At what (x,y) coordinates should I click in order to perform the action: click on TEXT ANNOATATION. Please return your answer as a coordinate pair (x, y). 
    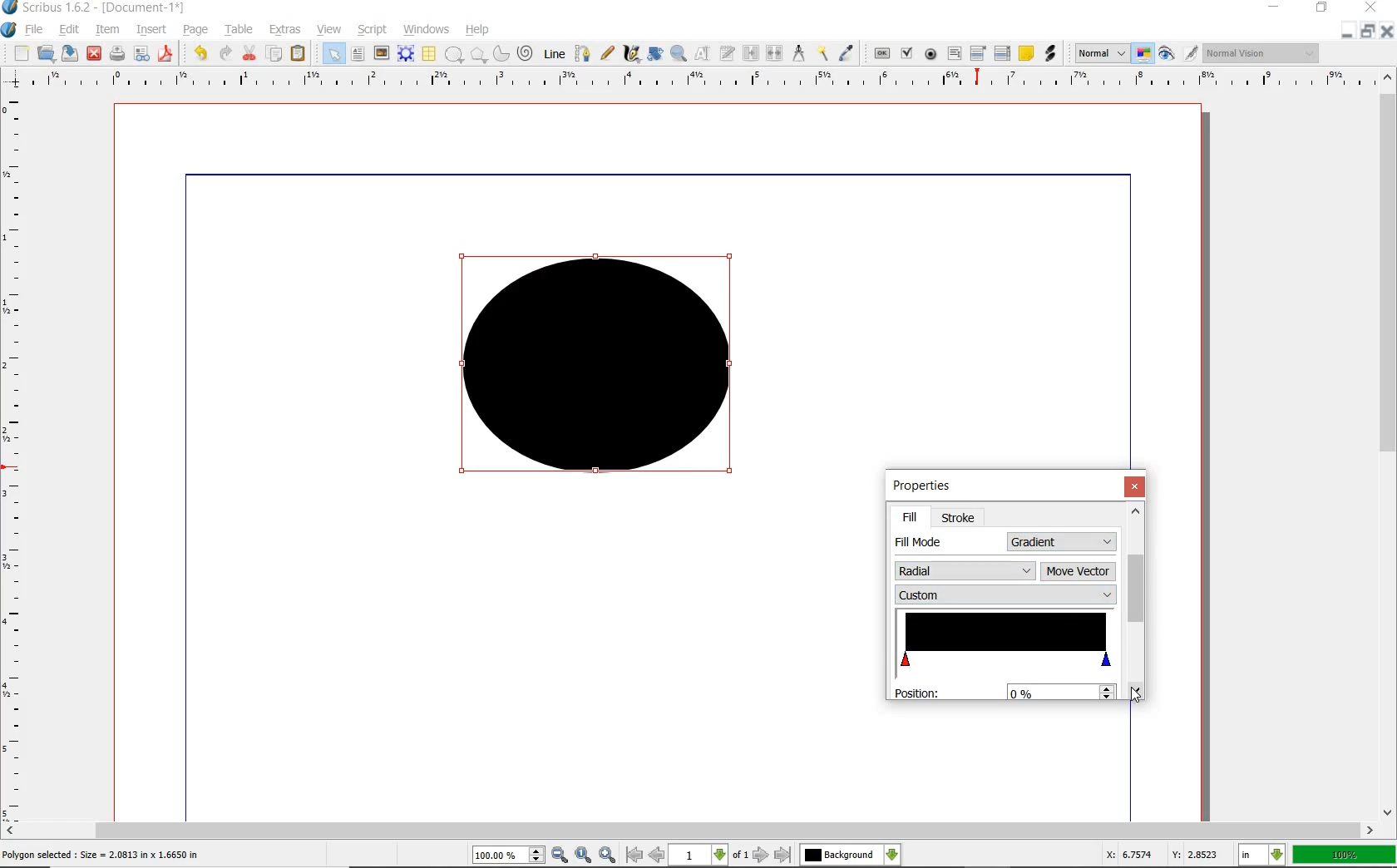
    Looking at the image, I should click on (1025, 52).